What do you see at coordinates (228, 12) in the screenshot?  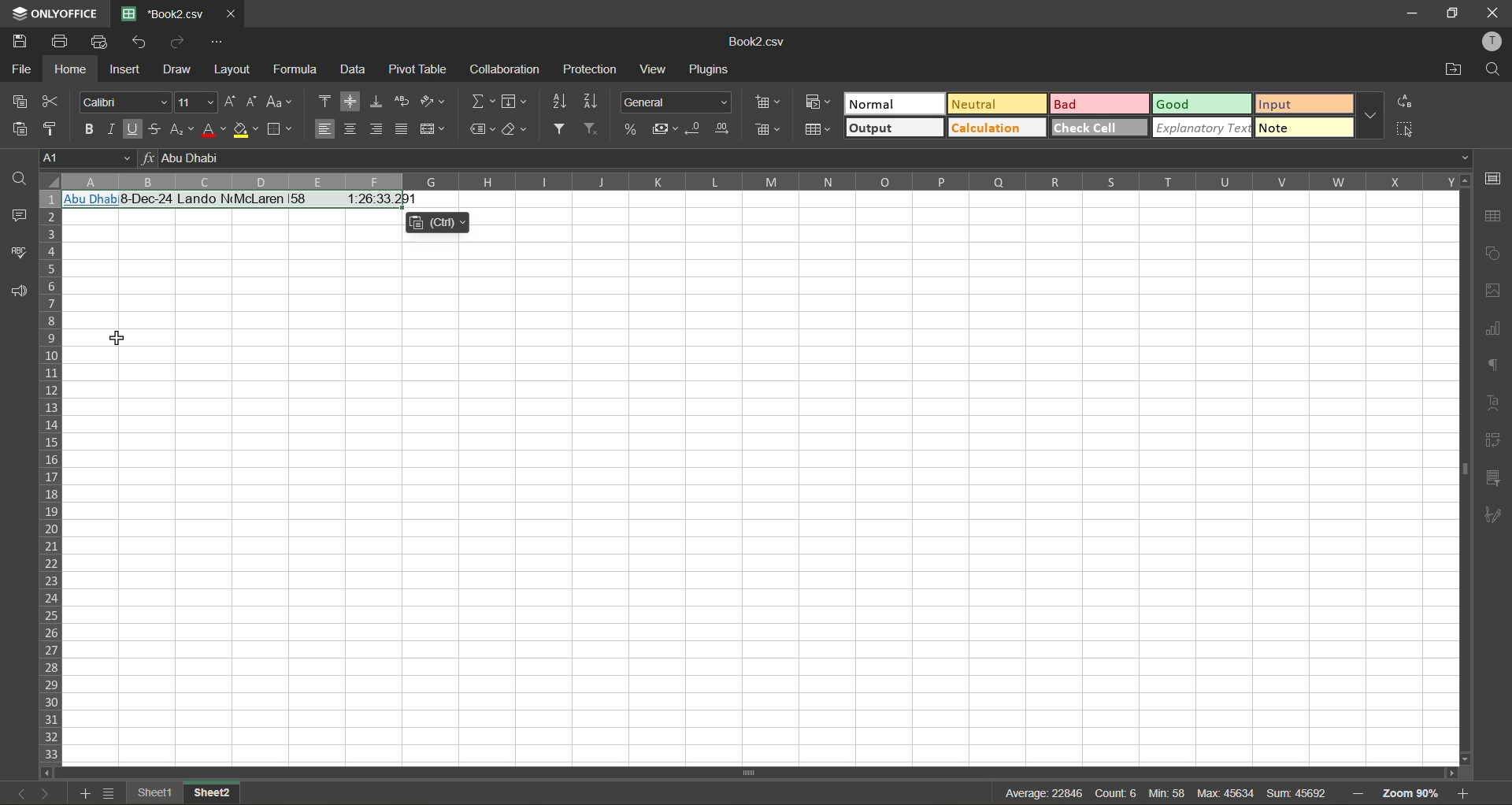 I see `close tab` at bounding box center [228, 12].